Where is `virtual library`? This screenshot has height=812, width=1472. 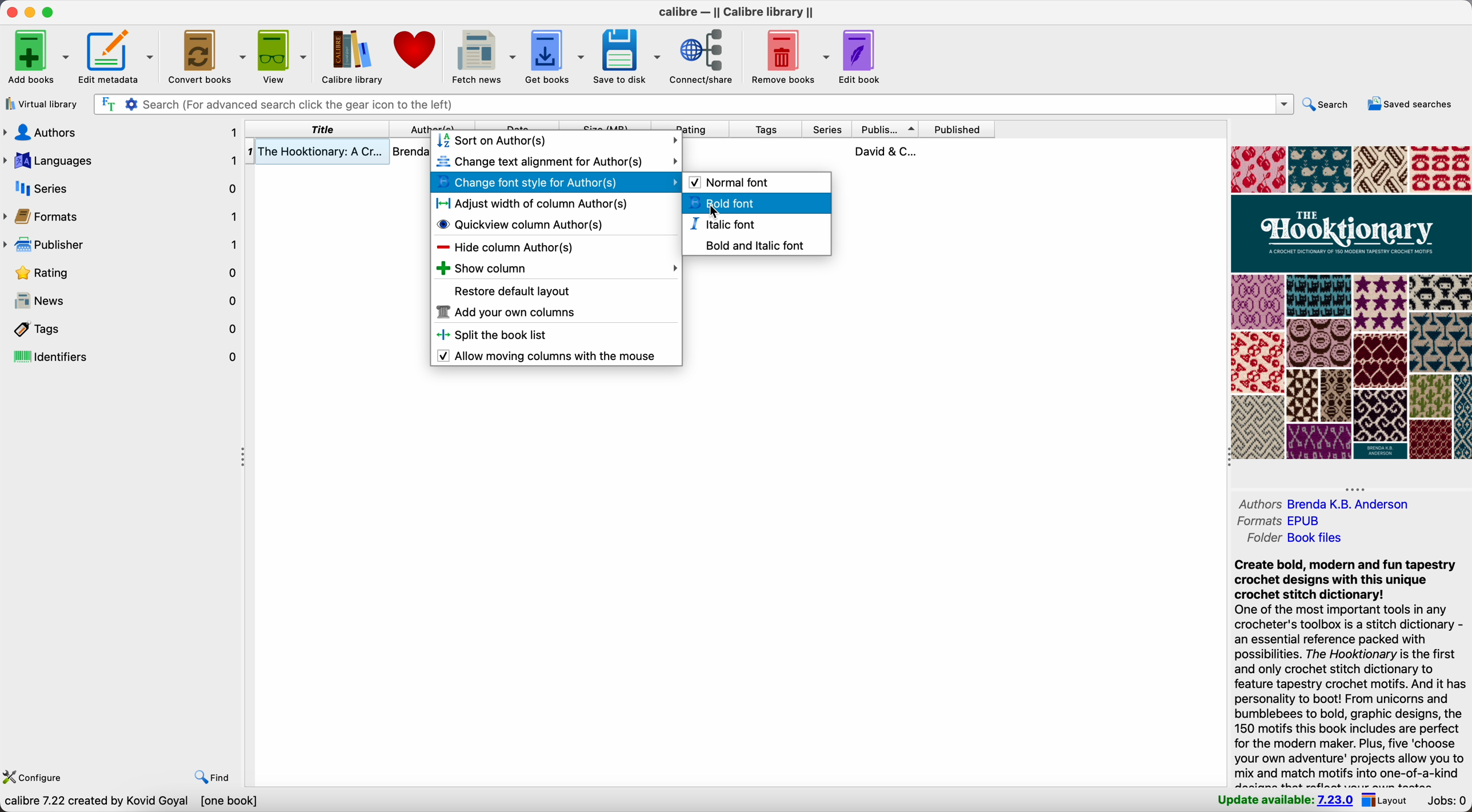 virtual library is located at coordinates (42, 105).